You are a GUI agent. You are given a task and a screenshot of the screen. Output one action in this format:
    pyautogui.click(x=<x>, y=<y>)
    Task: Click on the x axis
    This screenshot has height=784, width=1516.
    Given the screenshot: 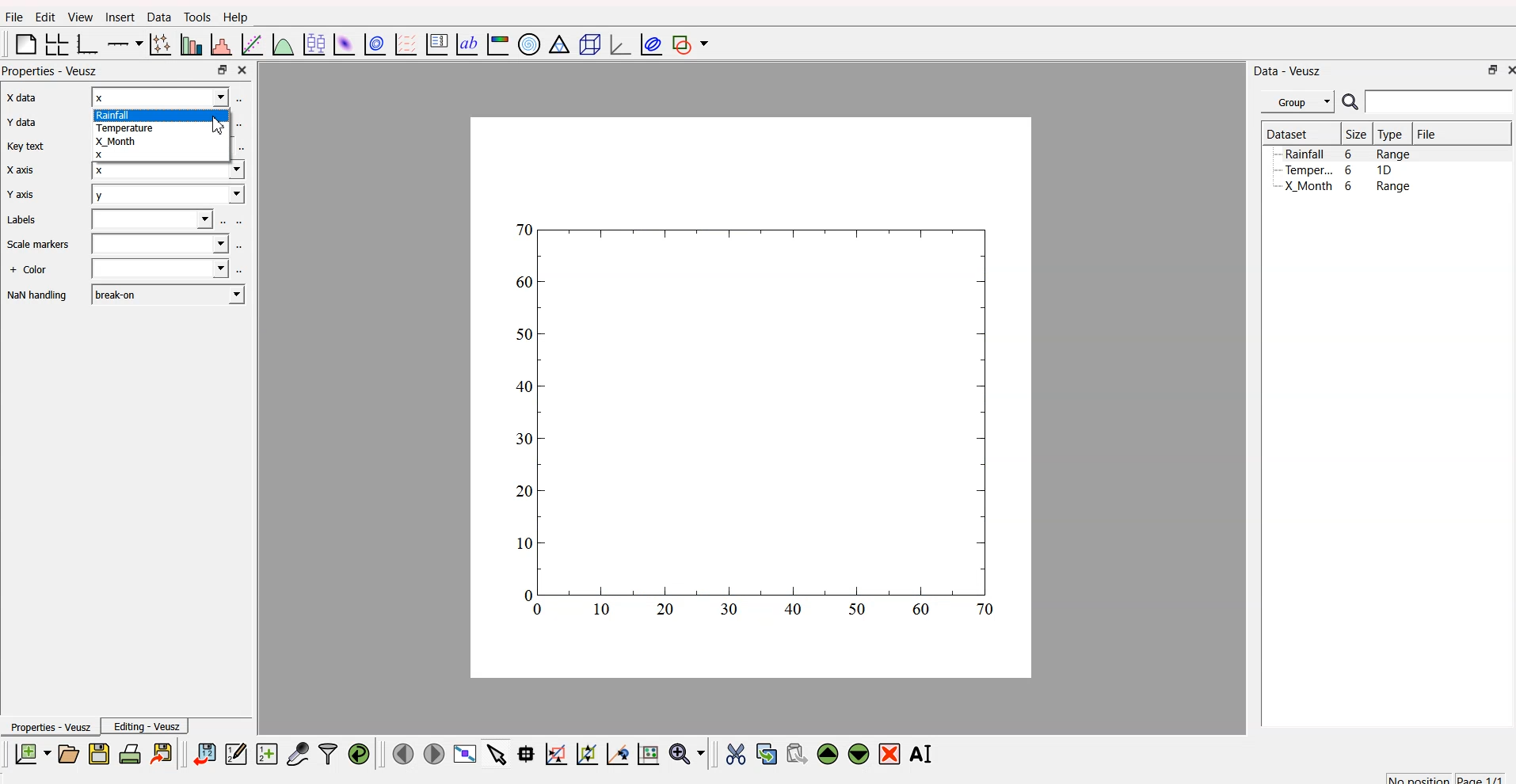 What is the action you would take?
    pyautogui.click(x=19, y=99)
    